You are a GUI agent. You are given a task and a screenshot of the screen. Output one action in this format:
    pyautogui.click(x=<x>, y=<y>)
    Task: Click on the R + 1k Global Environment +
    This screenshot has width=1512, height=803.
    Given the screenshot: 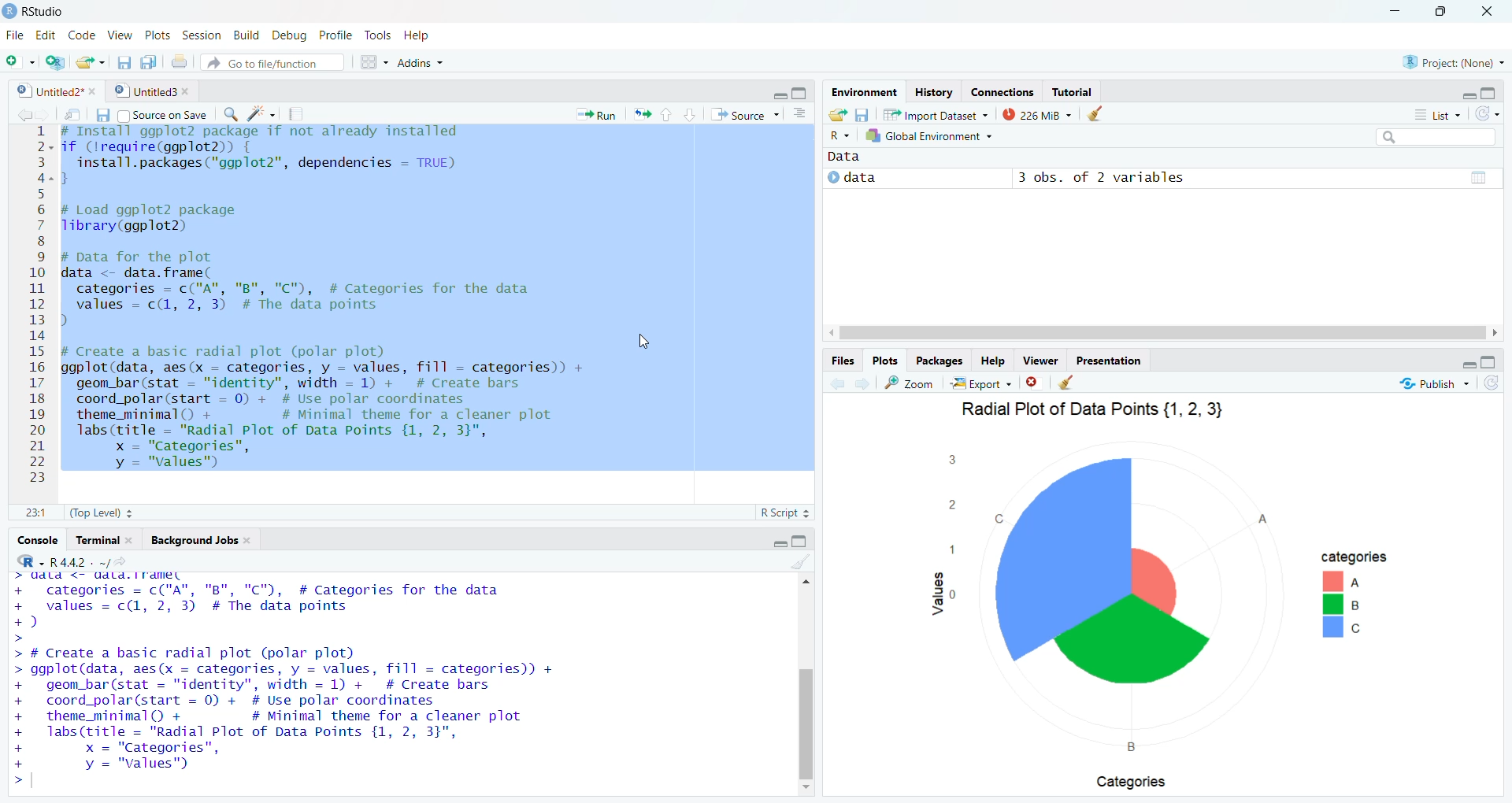 What is the action you would take?
    pyautogui.click(x=939, y=137)
    